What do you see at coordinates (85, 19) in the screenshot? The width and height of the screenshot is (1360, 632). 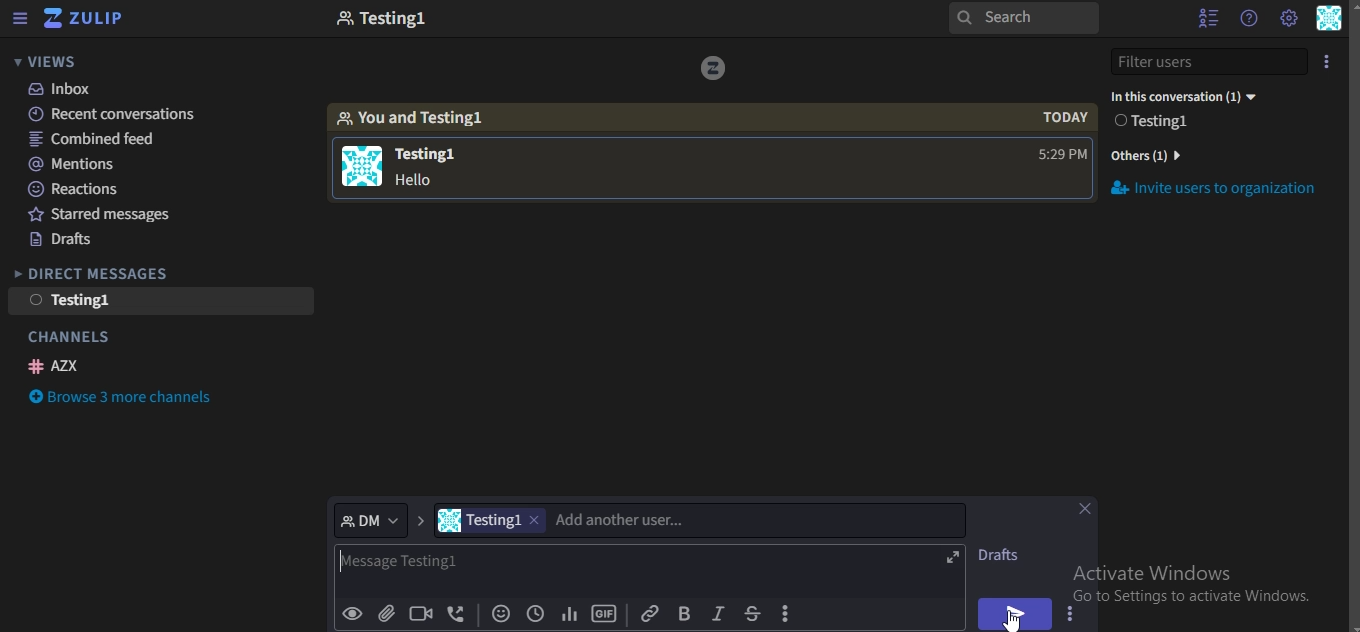 I see `icon` at bounding box center [85, 19].